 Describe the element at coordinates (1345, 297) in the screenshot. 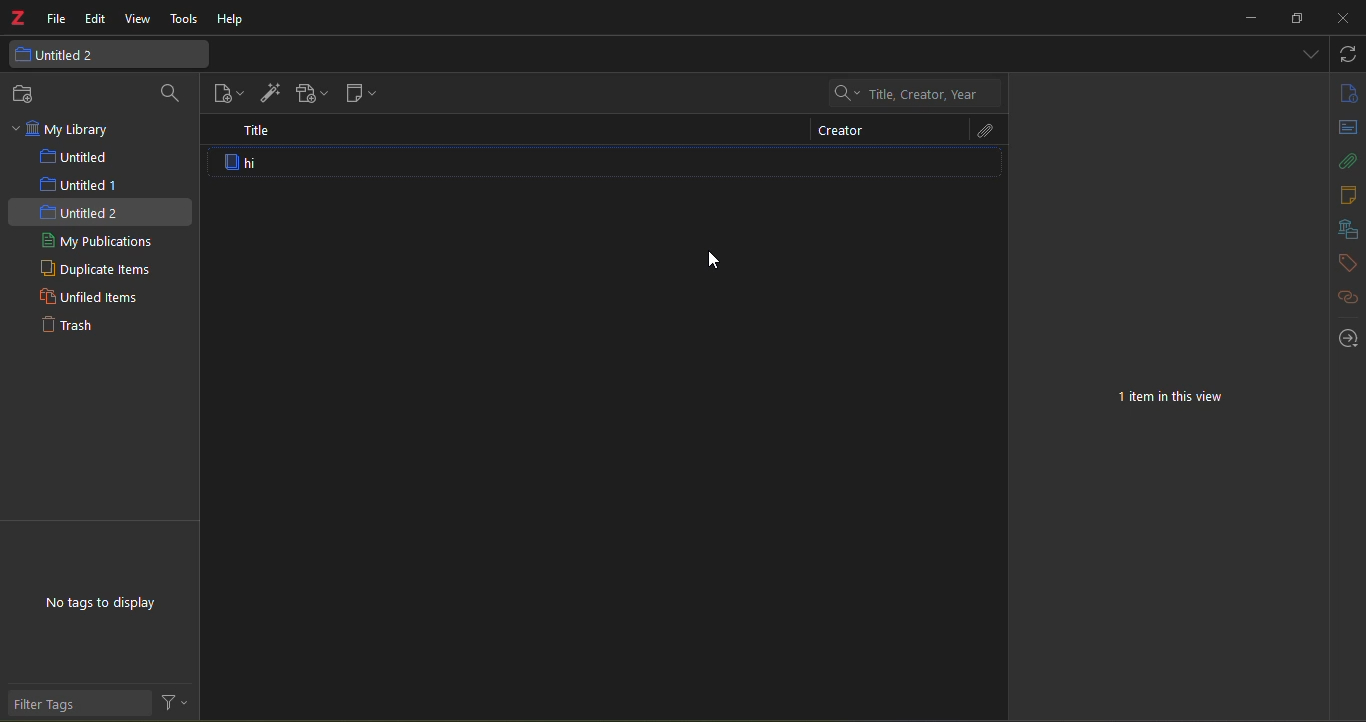

I see `related` at that location.